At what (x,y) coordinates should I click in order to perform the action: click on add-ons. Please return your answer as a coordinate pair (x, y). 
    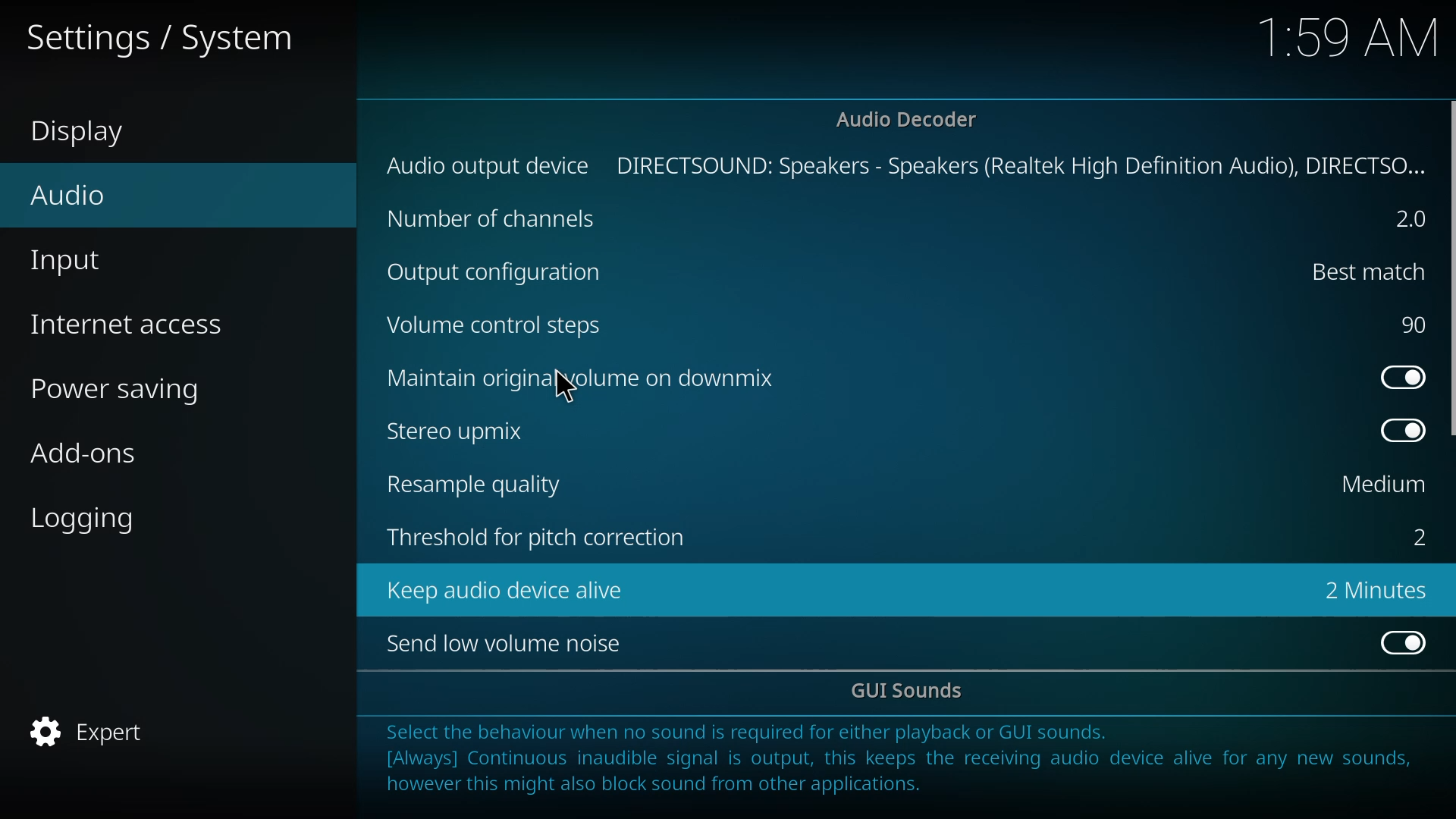
    Looking at the image, I should click on (86, 453).